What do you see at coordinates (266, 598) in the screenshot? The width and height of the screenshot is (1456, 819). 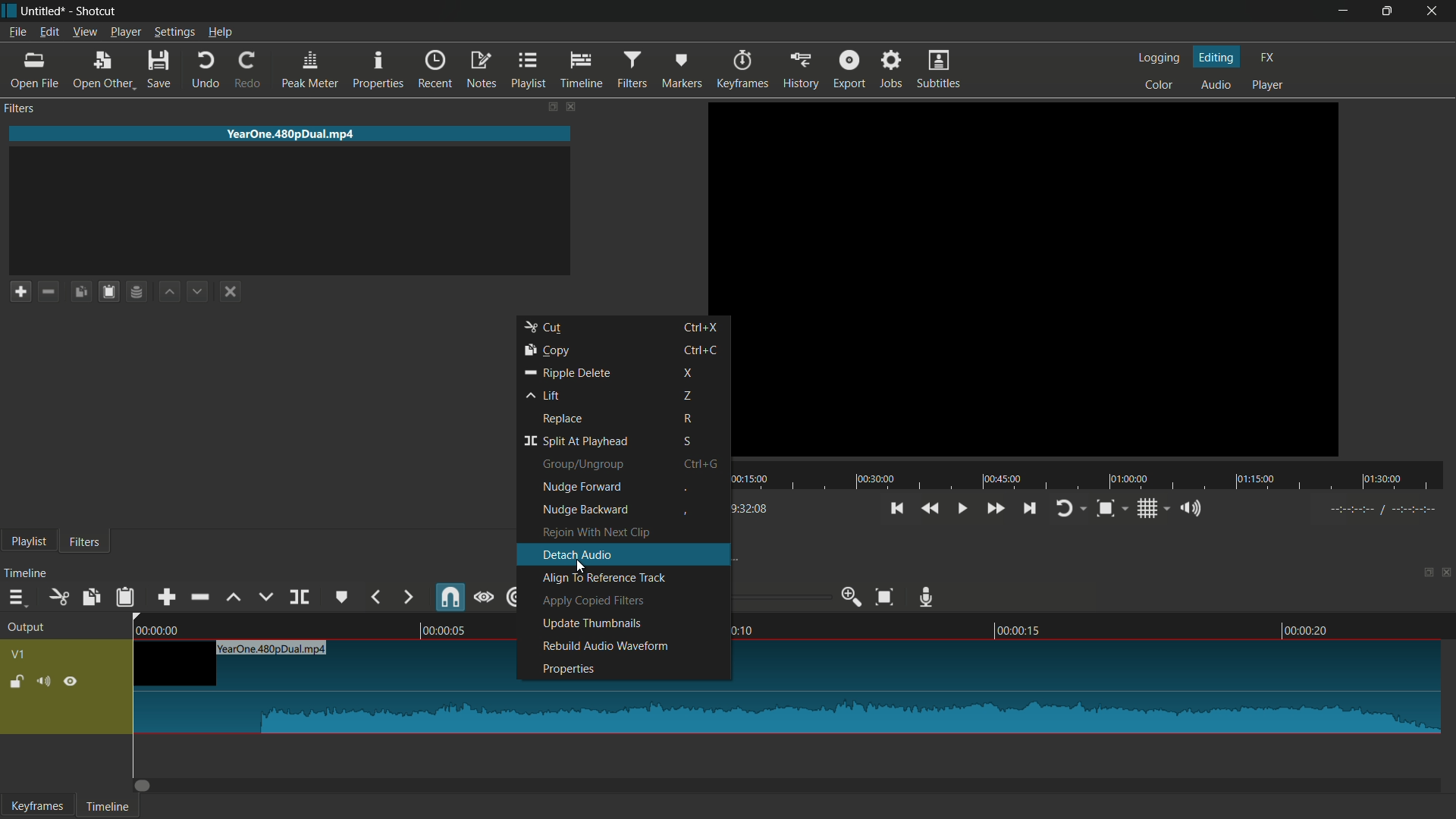 I see `overwrite` at bounding box center [266, 598].